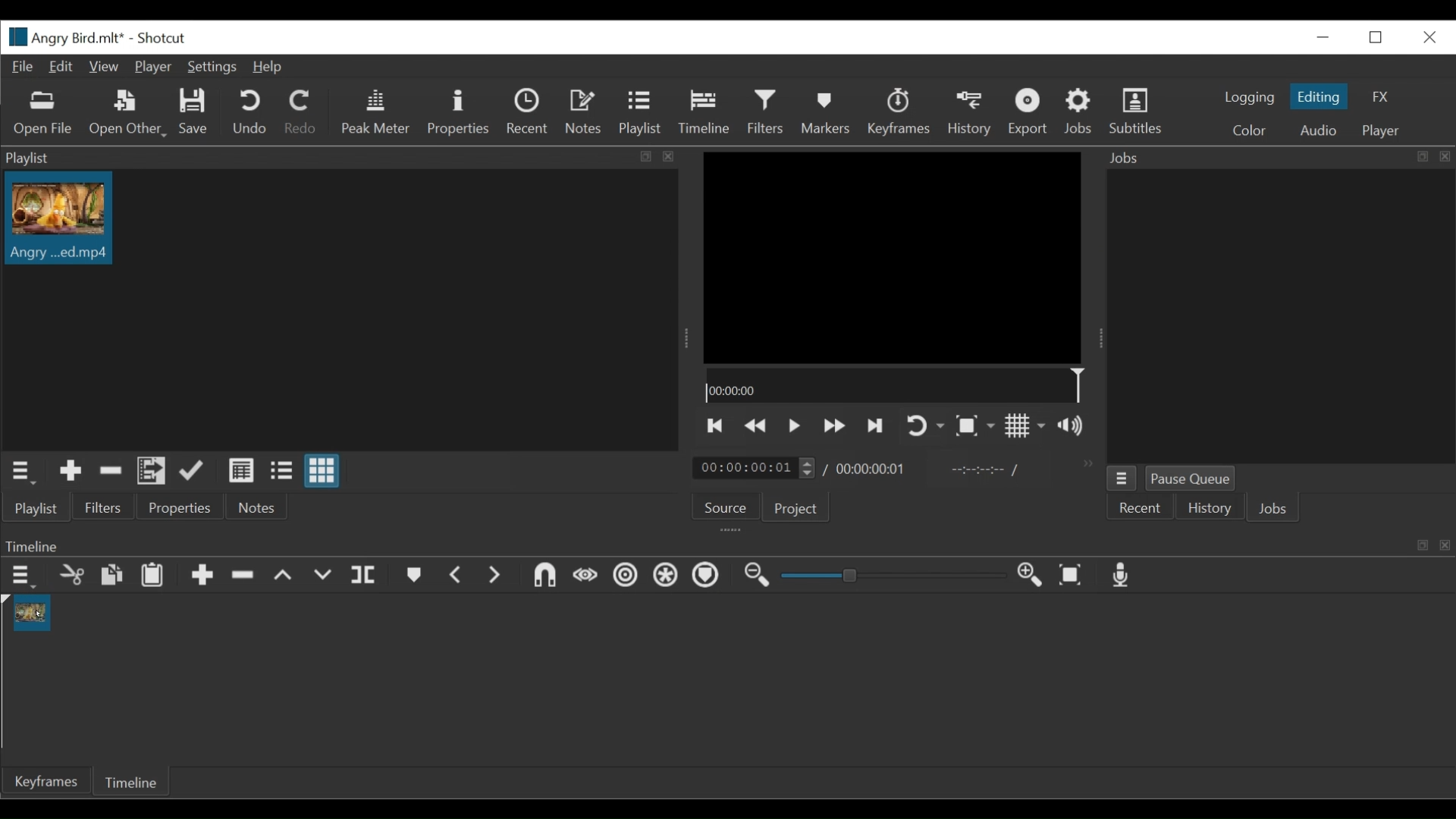  What do you see at coordinates (44, 507) in the screenshot?
I see `Playlist` at bounding box center [44, 507].